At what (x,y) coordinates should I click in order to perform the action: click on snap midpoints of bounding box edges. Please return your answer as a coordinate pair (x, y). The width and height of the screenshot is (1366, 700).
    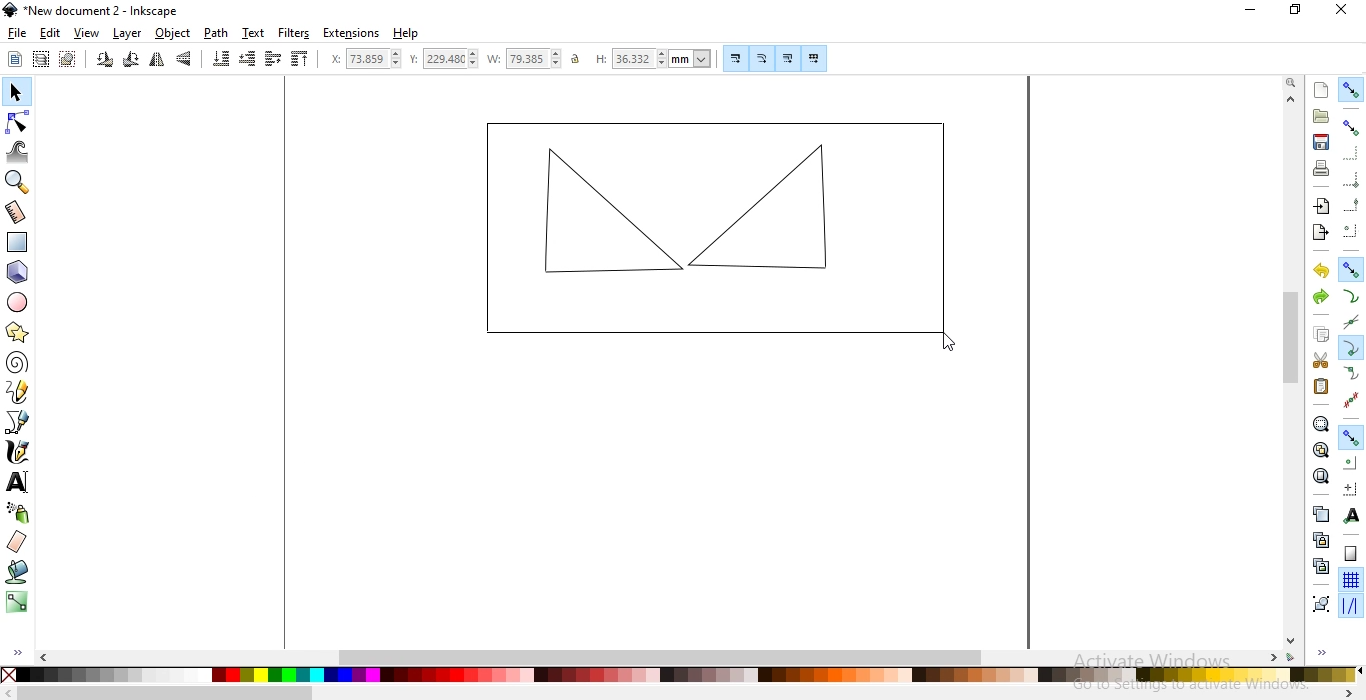
    Looking at the image, I should click on (1352, 203).